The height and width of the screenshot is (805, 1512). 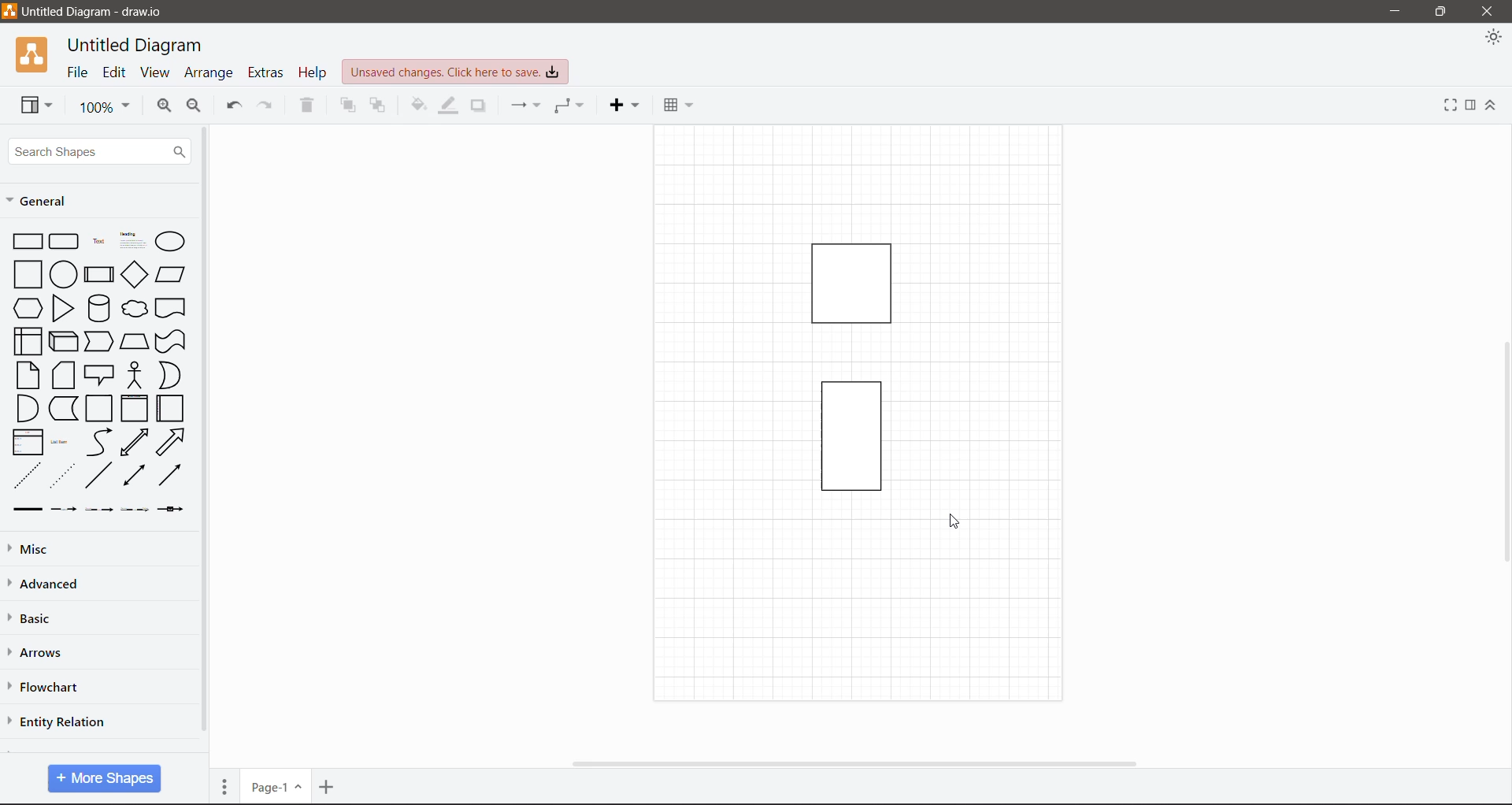 I want to click on Arrange, so click(x=210, y=72).